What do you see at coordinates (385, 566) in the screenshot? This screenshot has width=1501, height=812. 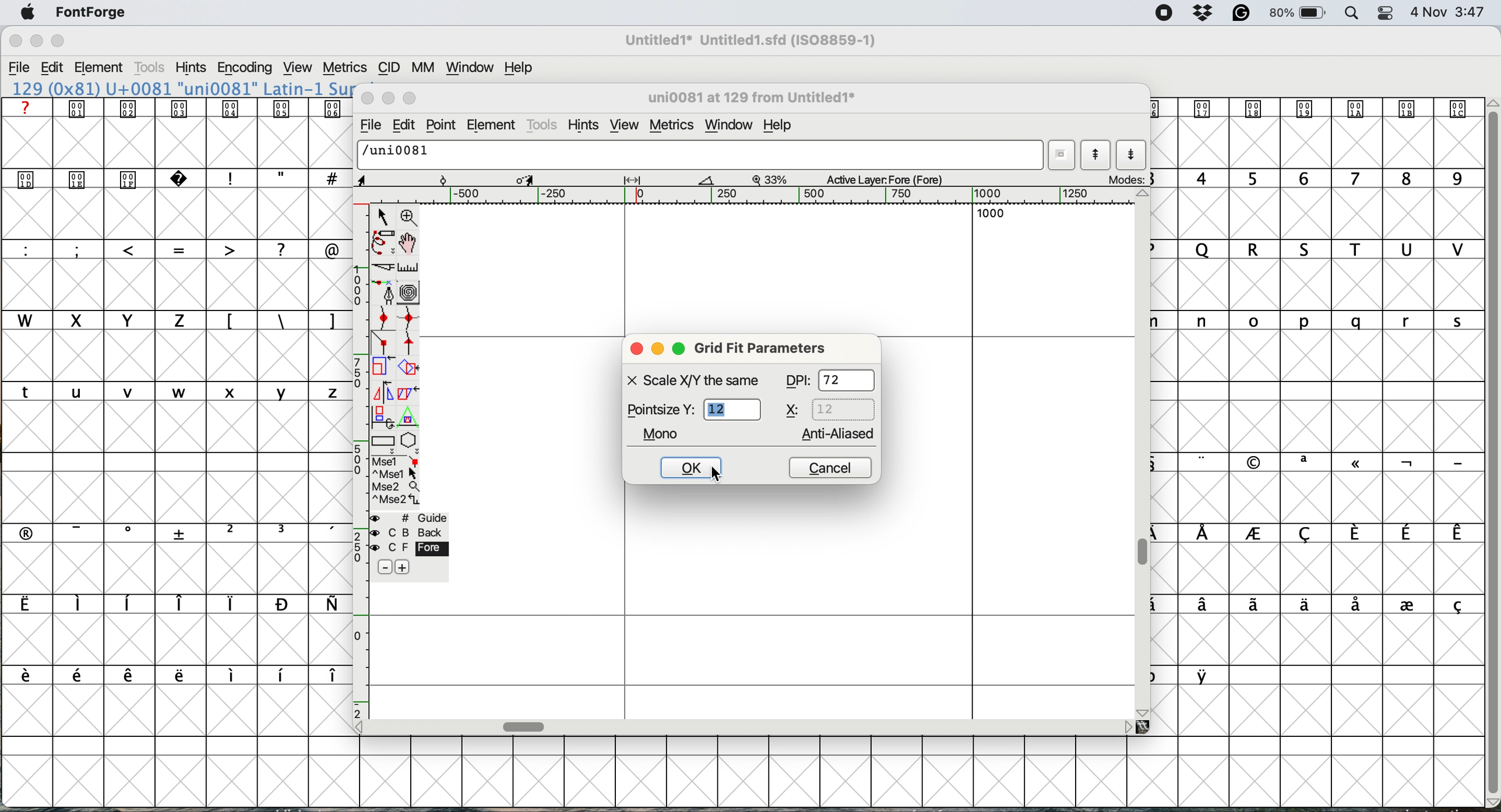 I see `Minus` at bounding box center [385, 566].